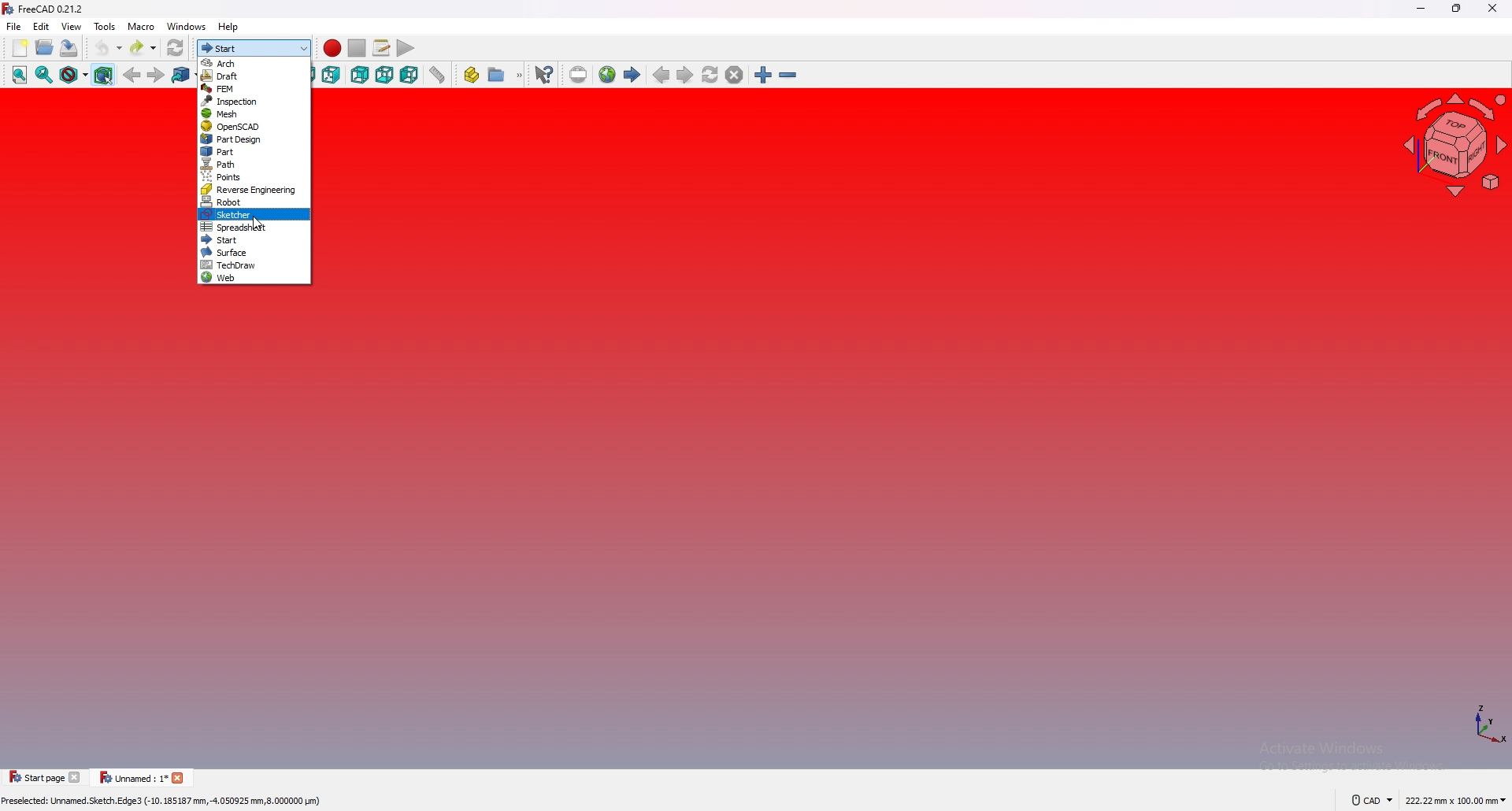 The height and width of the screenshot is (811, 1512). Describe the element at coordinates (254, 75) in the screenshot. I see `draft` at that location.